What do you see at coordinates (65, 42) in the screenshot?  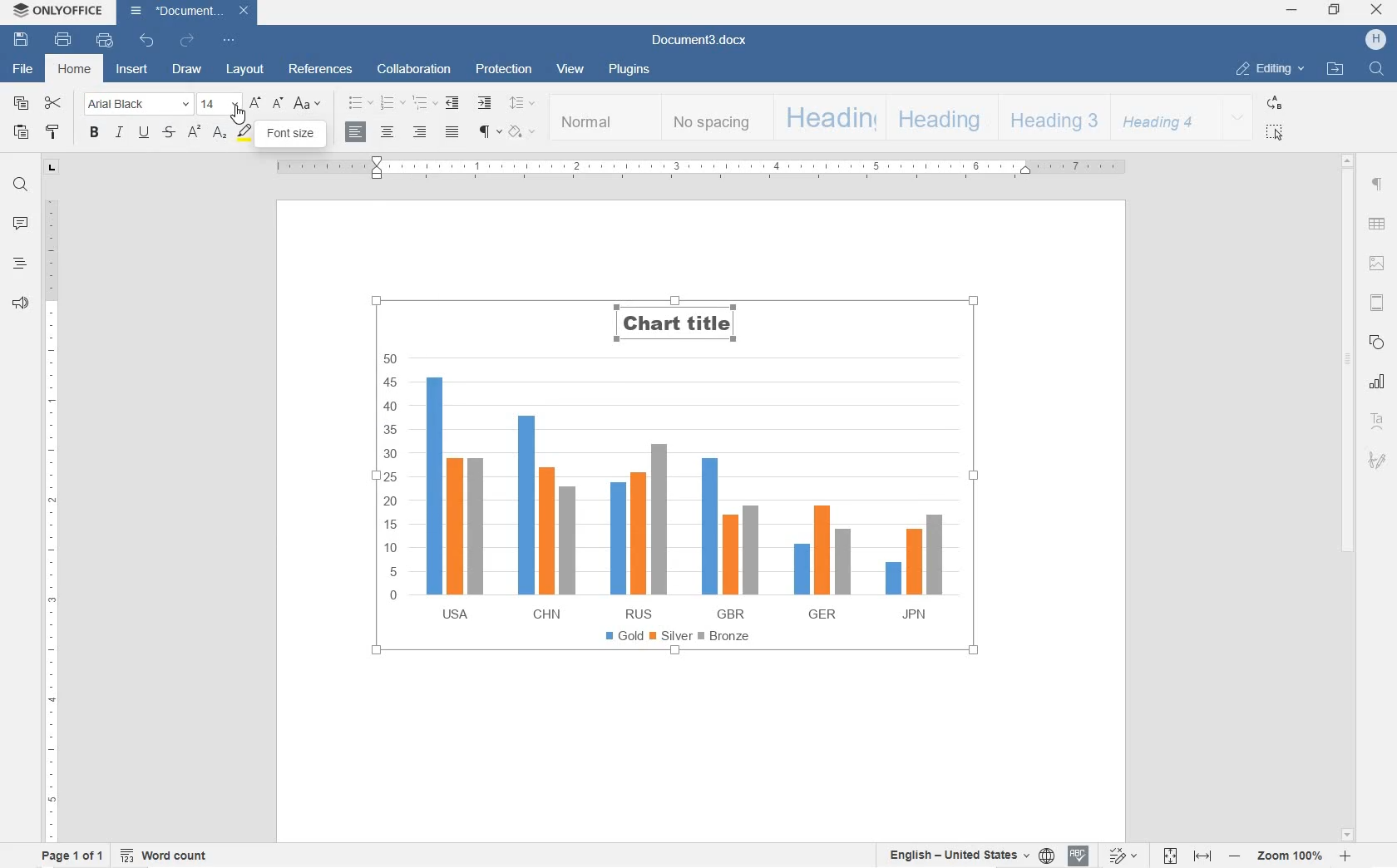 I see `PRINT` at bounding box center [65, 42].